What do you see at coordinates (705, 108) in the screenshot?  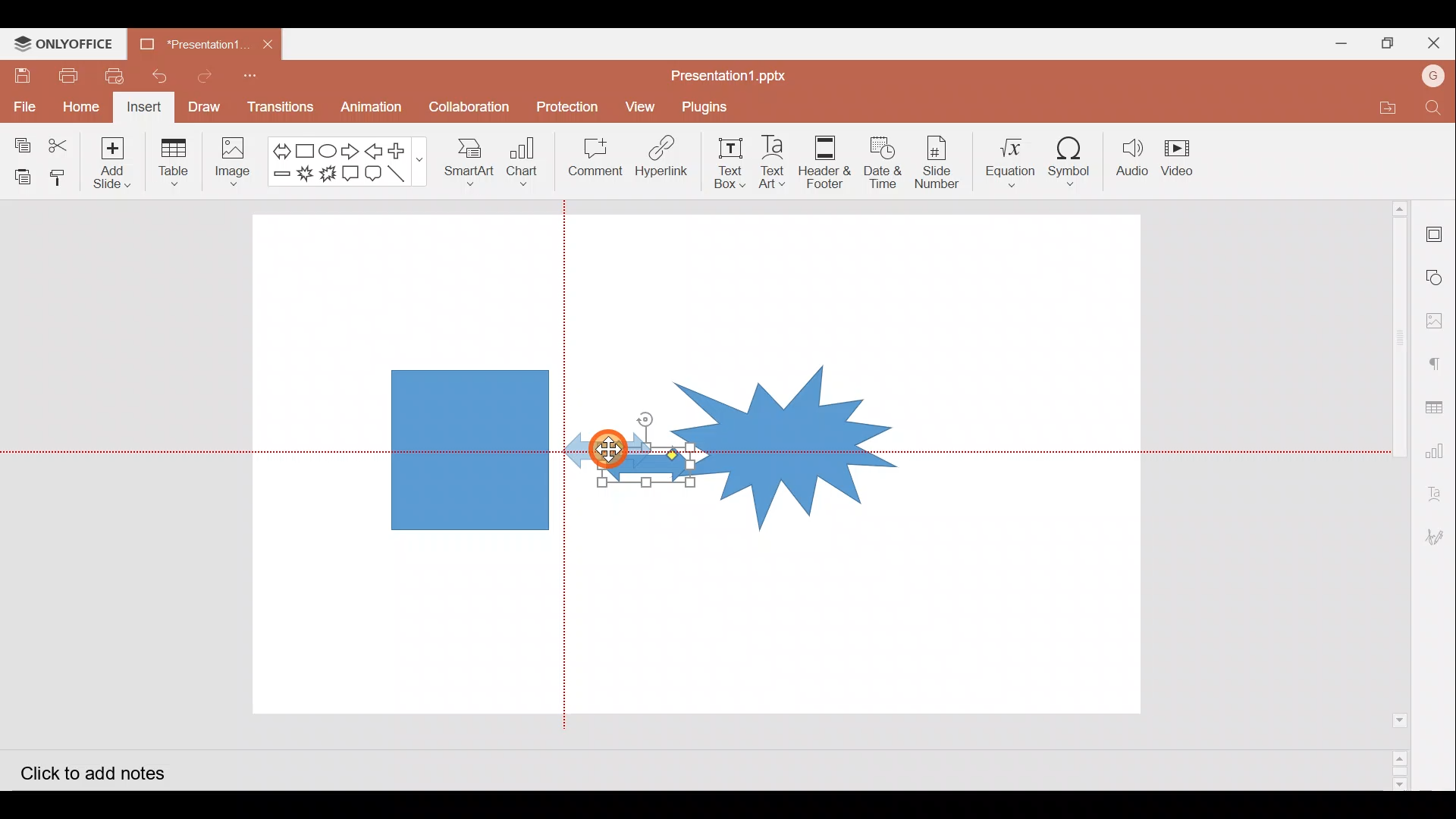 I see `Plugins` at bounding box center [705, 108].